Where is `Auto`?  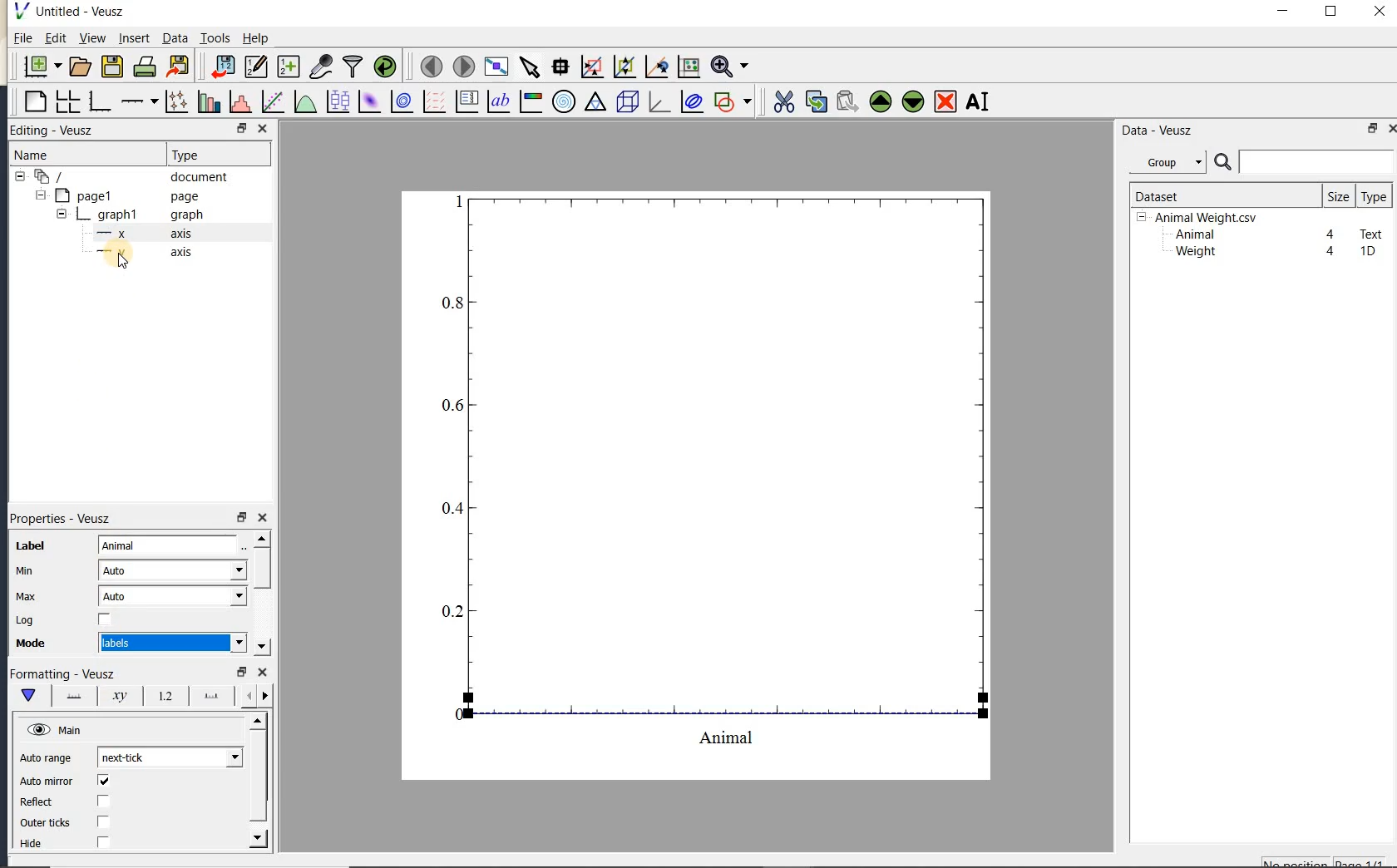 Auto is located at coordinates (172, 570).